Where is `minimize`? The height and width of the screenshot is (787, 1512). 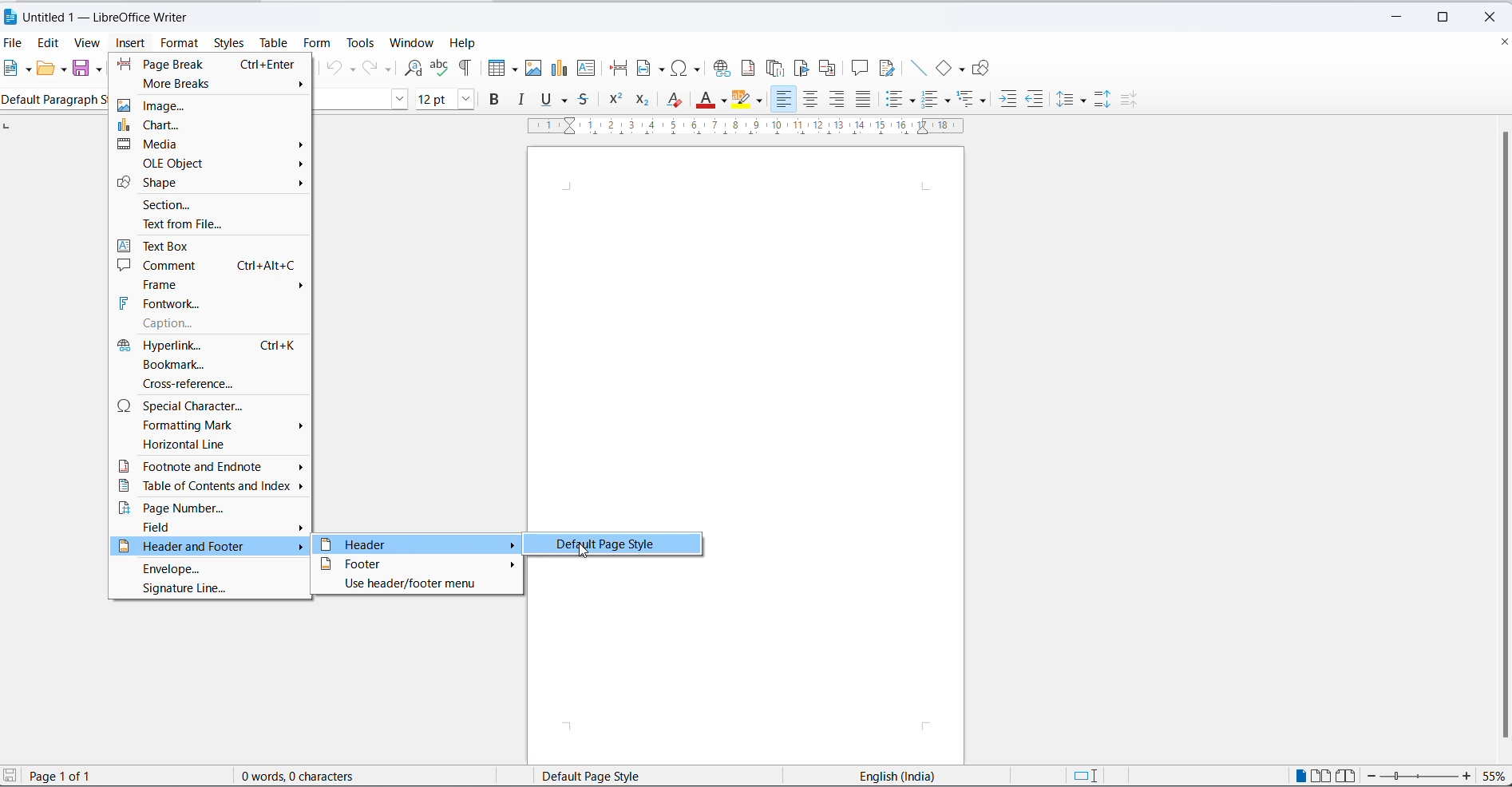 minimize is located at coordinates (1393, 18).